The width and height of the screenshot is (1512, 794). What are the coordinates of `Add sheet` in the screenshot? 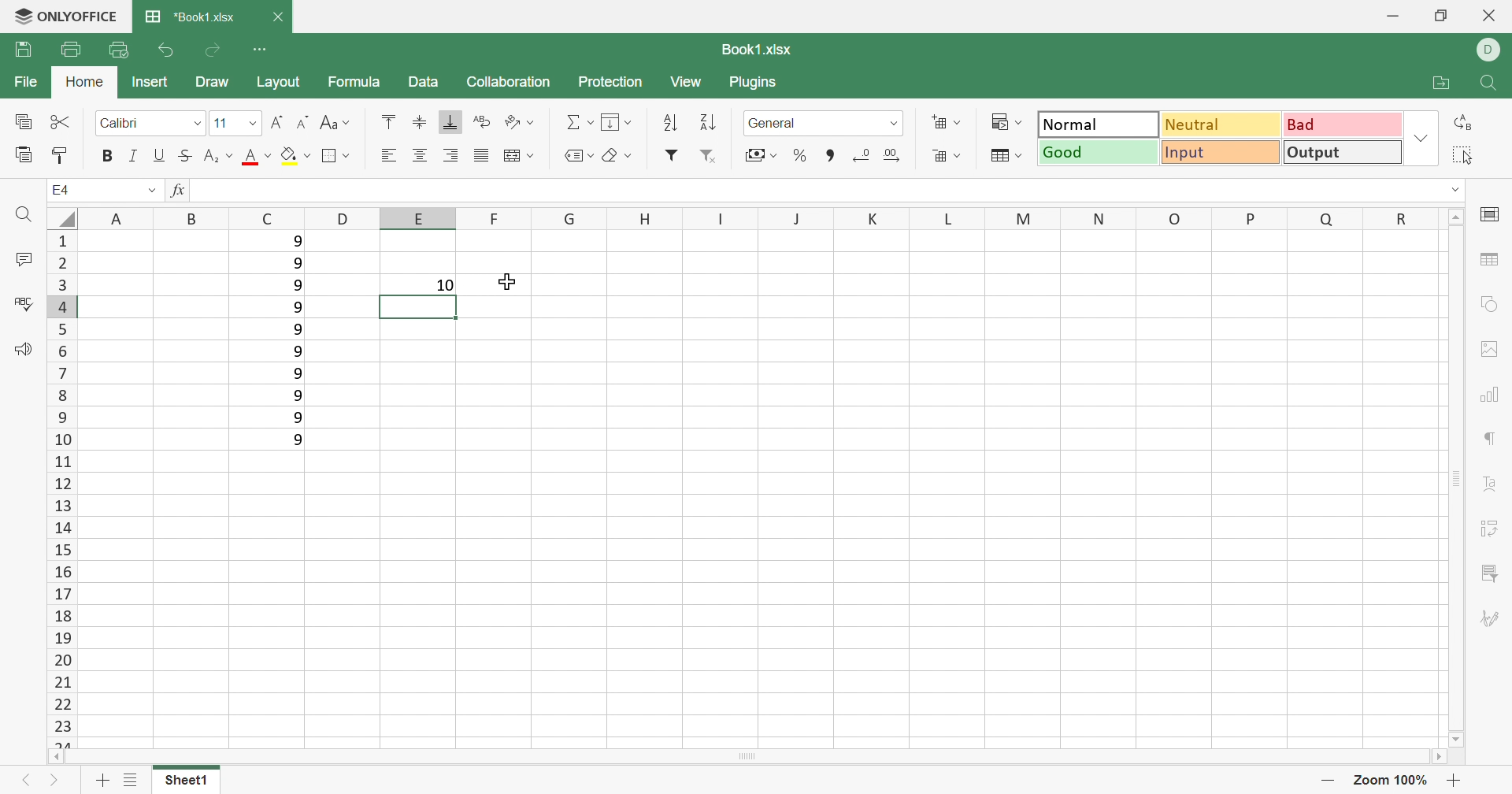 It's located at (103, 780).